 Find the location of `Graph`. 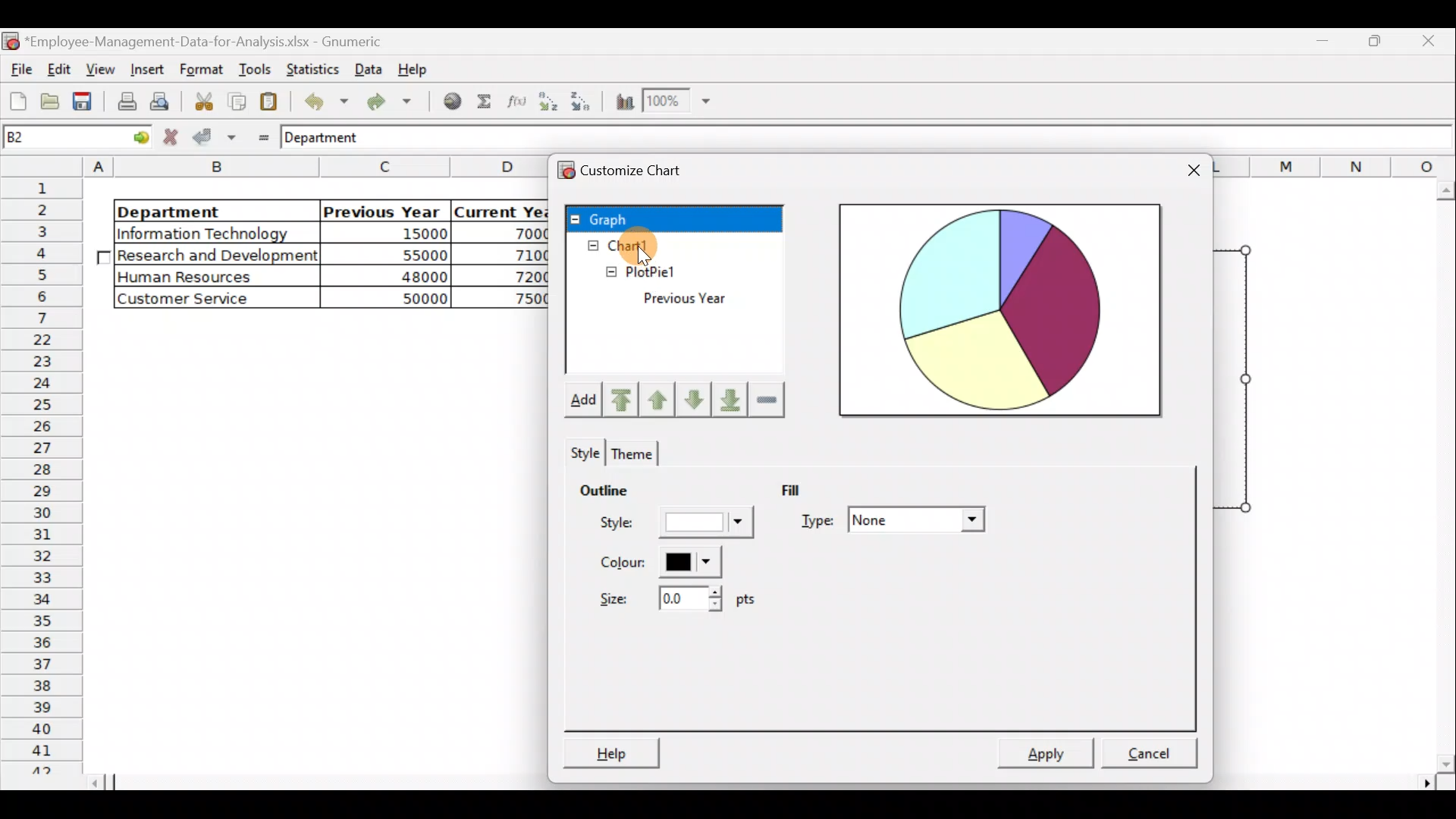

Graph is located at coordinates (673, 216).